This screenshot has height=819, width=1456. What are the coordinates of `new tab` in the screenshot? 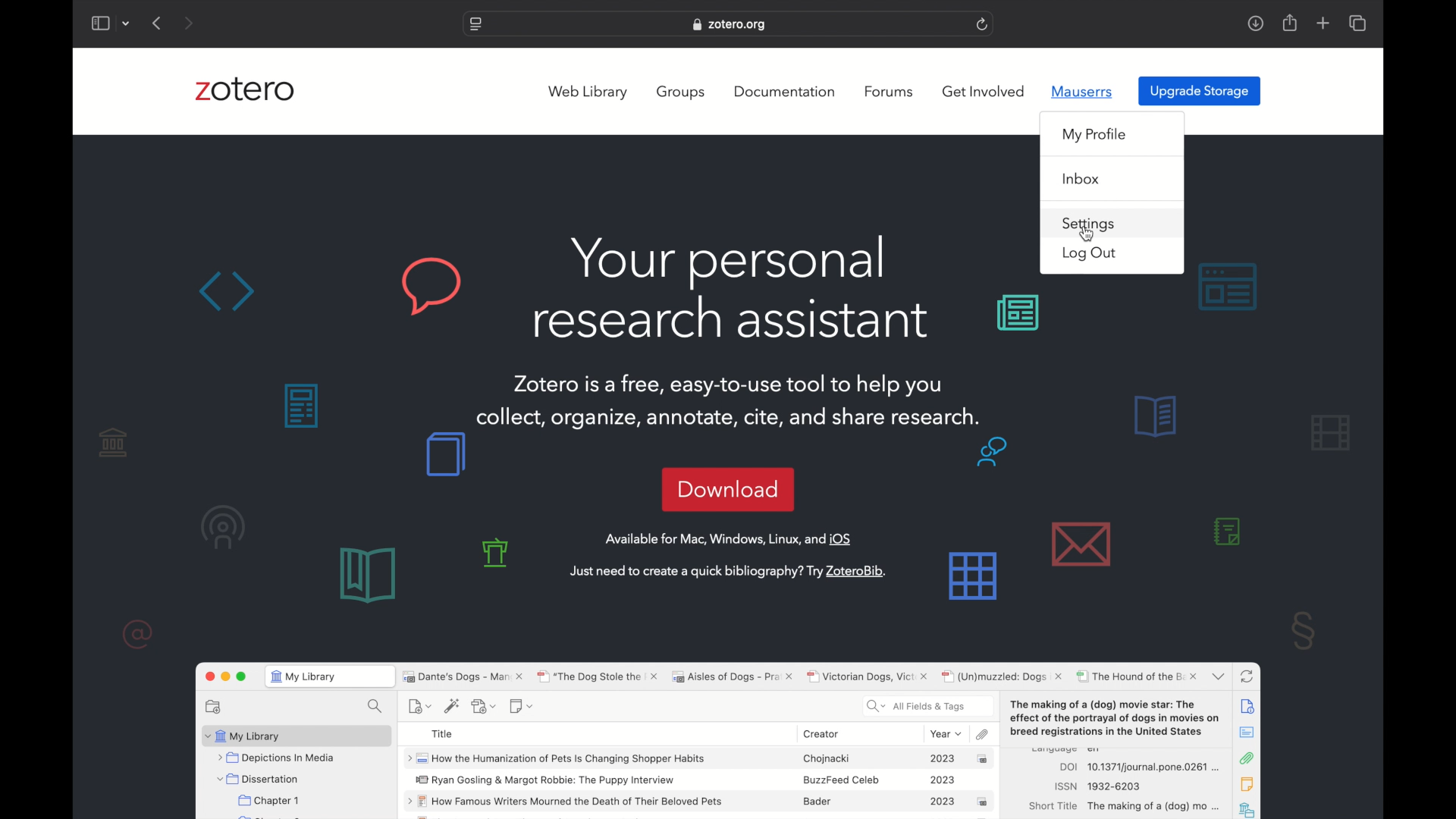 It's located at (1323, 23).